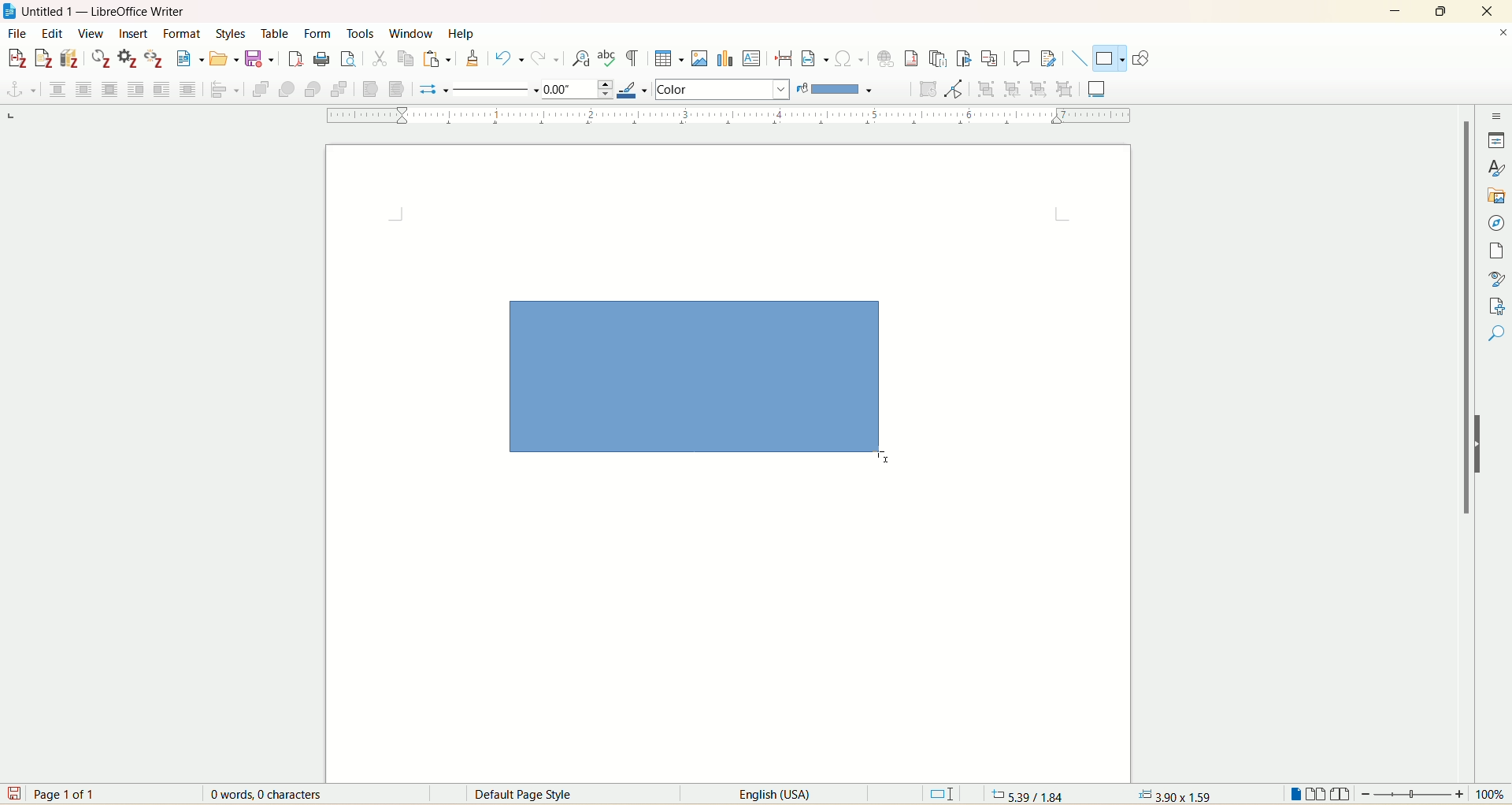  What do you see at coordinates (543, 59) in the screenshot?
I see `redo` at bounding box center [543, 59].